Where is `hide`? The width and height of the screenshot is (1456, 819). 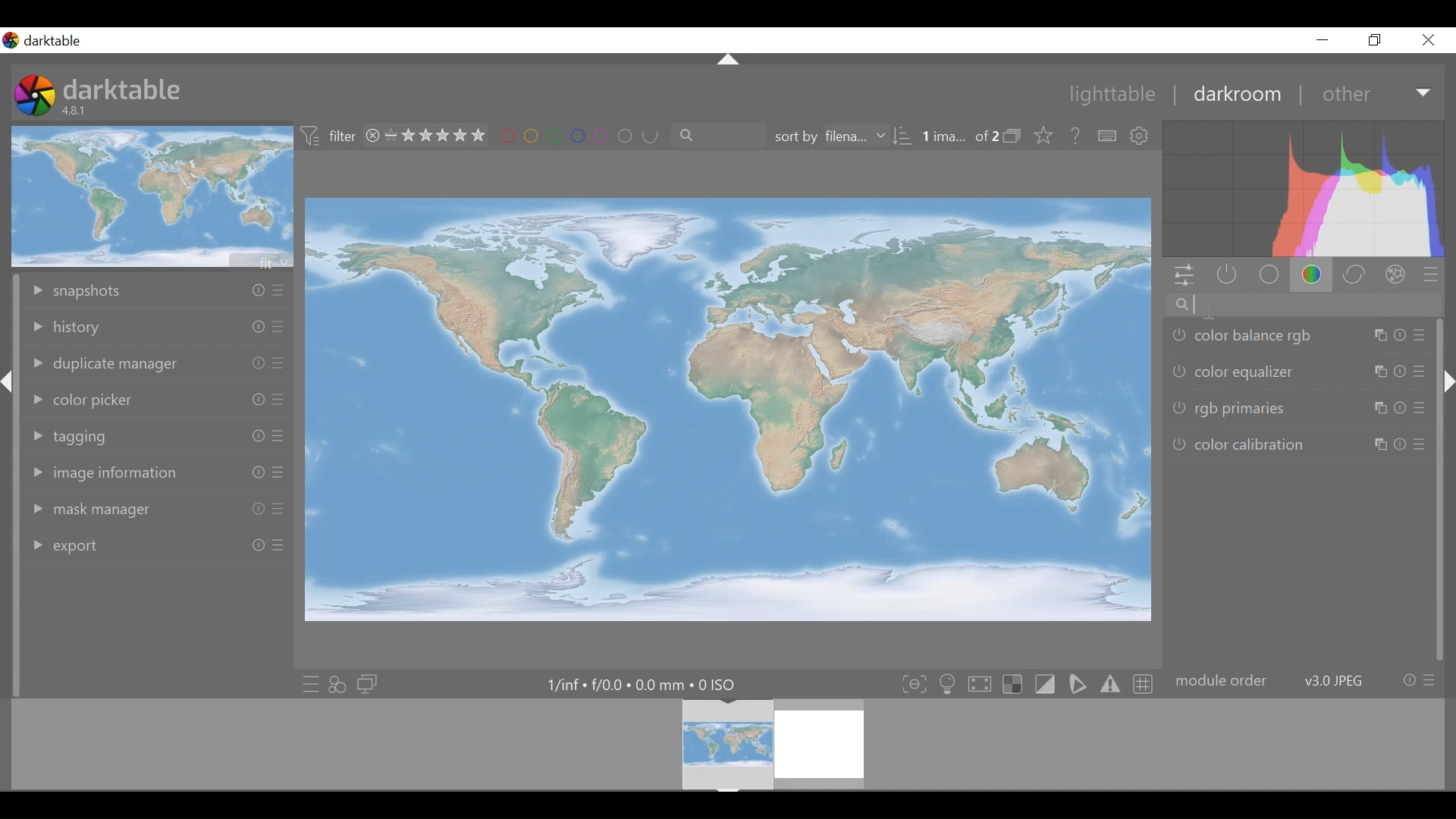
hide is located at coordinates (1447, 383).